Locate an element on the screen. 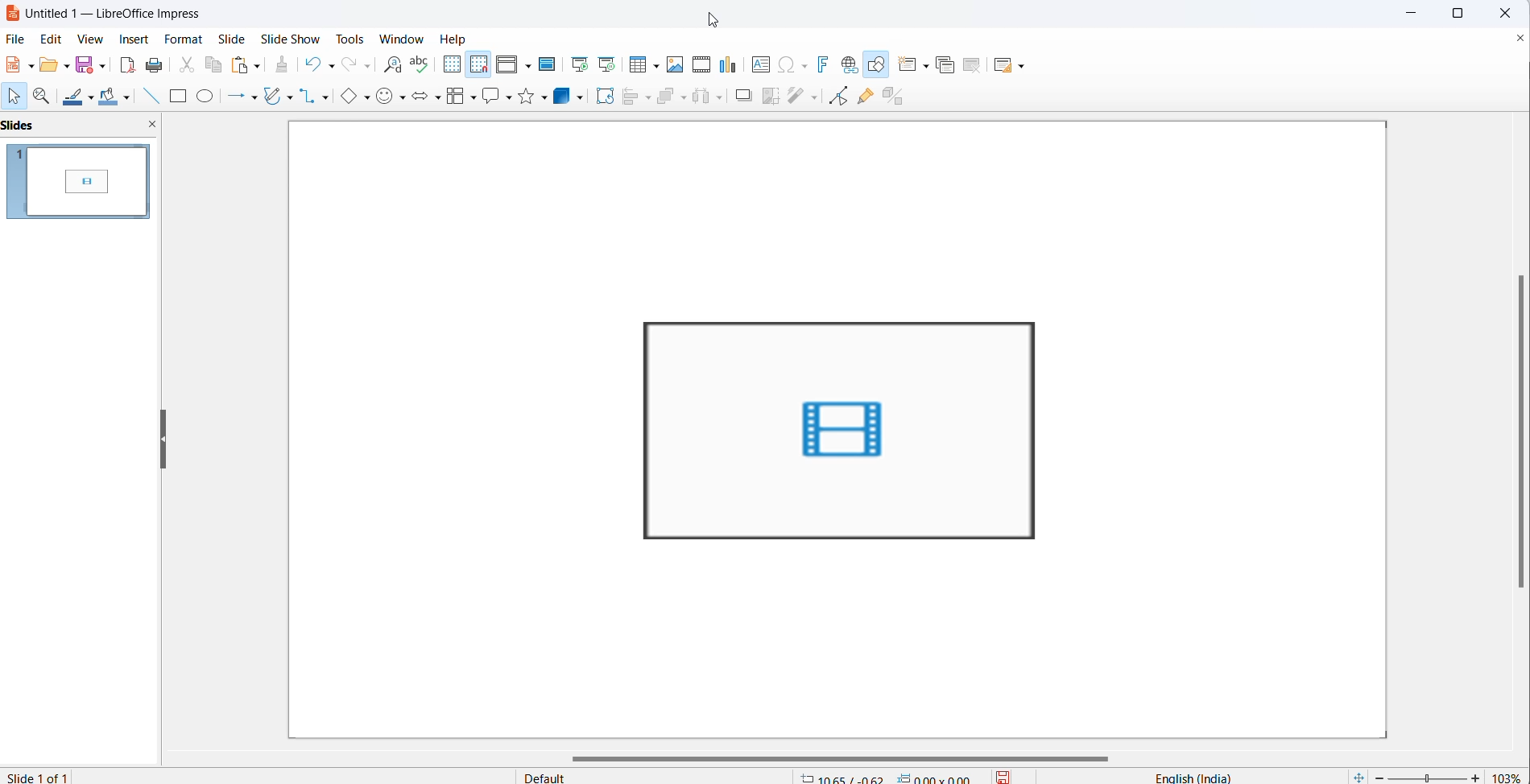  lines and arrows options is located at coordinates (257, 97).